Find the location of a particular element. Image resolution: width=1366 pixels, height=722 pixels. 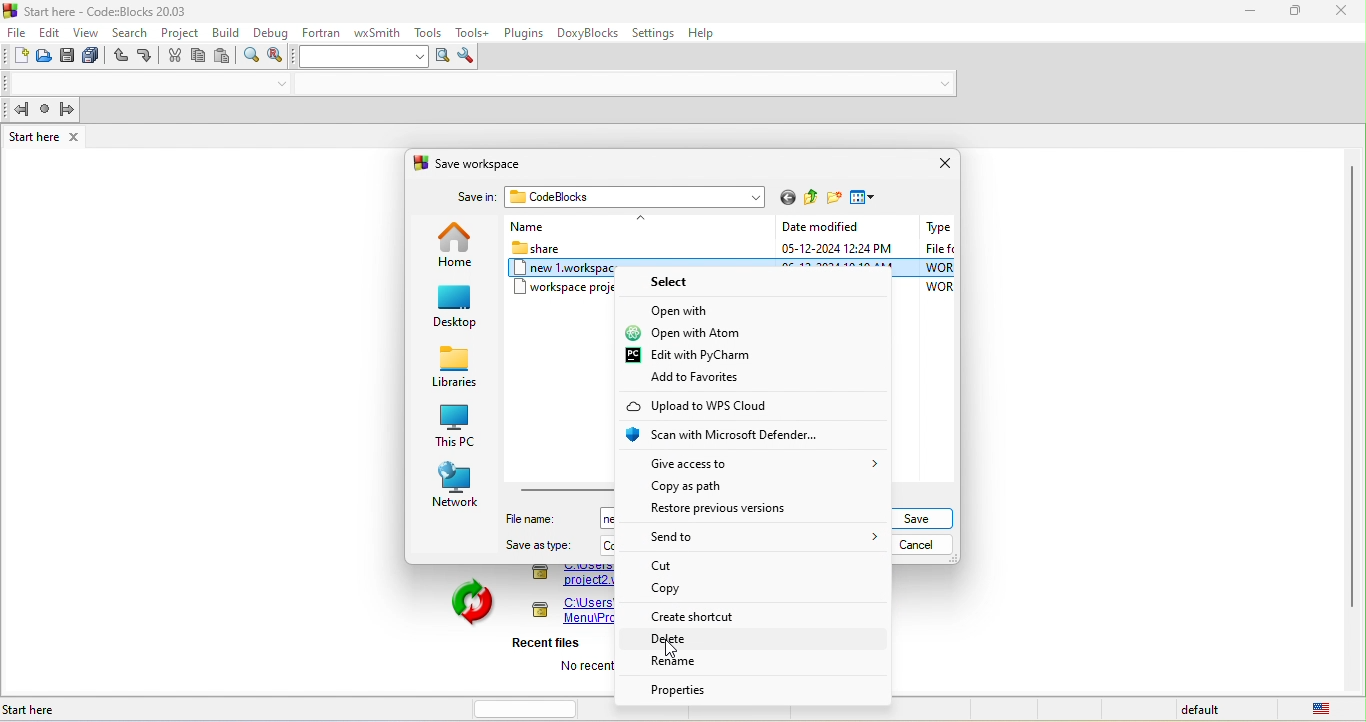

Code compiler is located at coordinates (482, 85).